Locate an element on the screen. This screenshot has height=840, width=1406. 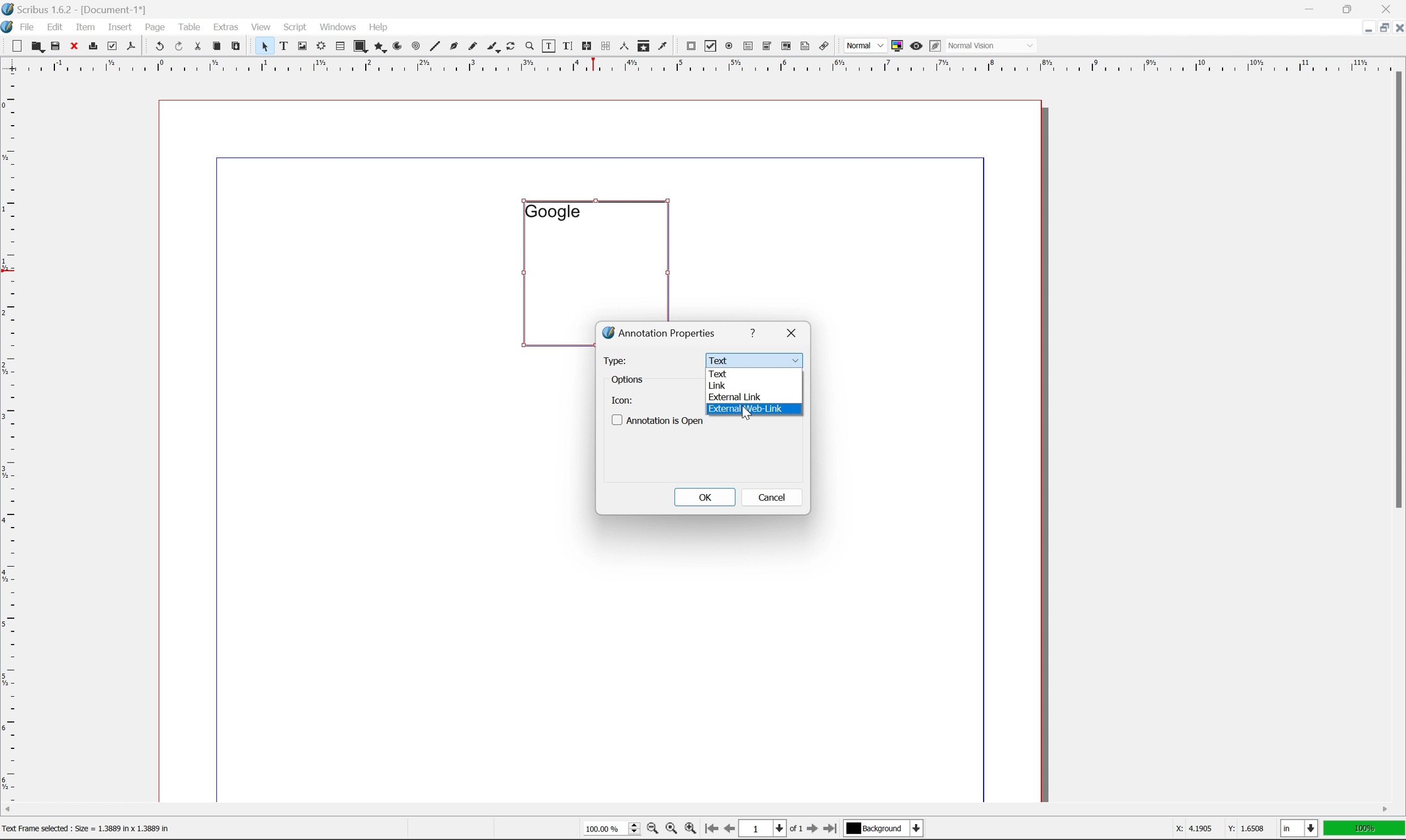
ruler is located at coordinates (702, 64).